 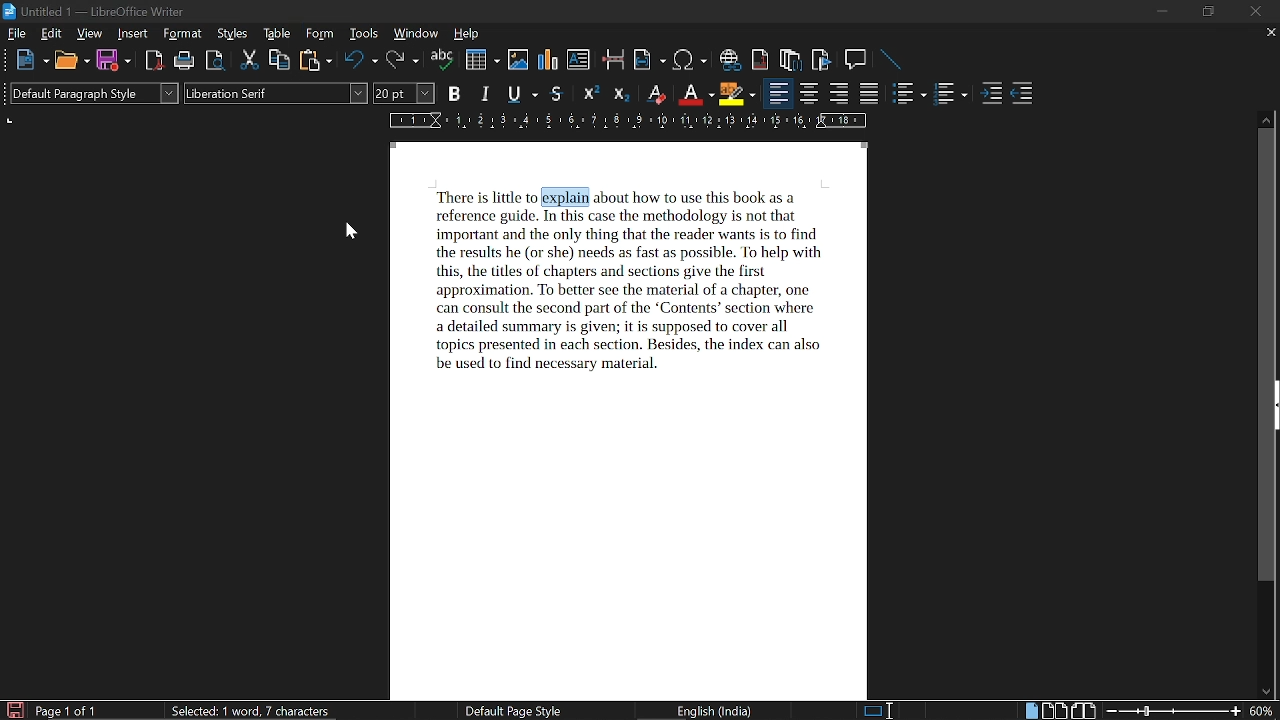 What do you see at coordinates (405, 93) in the screenshot?
I see `font size` at bounding box center [405, 93].